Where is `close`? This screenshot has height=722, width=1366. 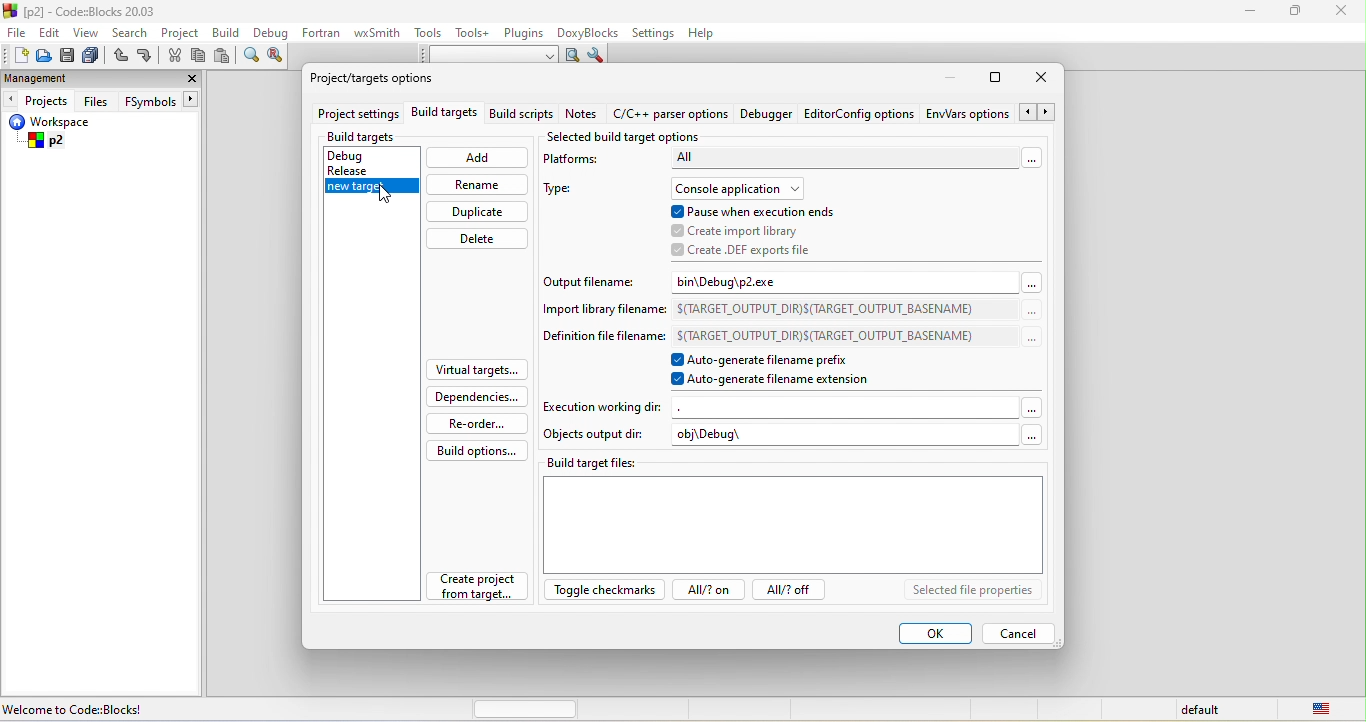 close is located at coordinates (1341, 15).